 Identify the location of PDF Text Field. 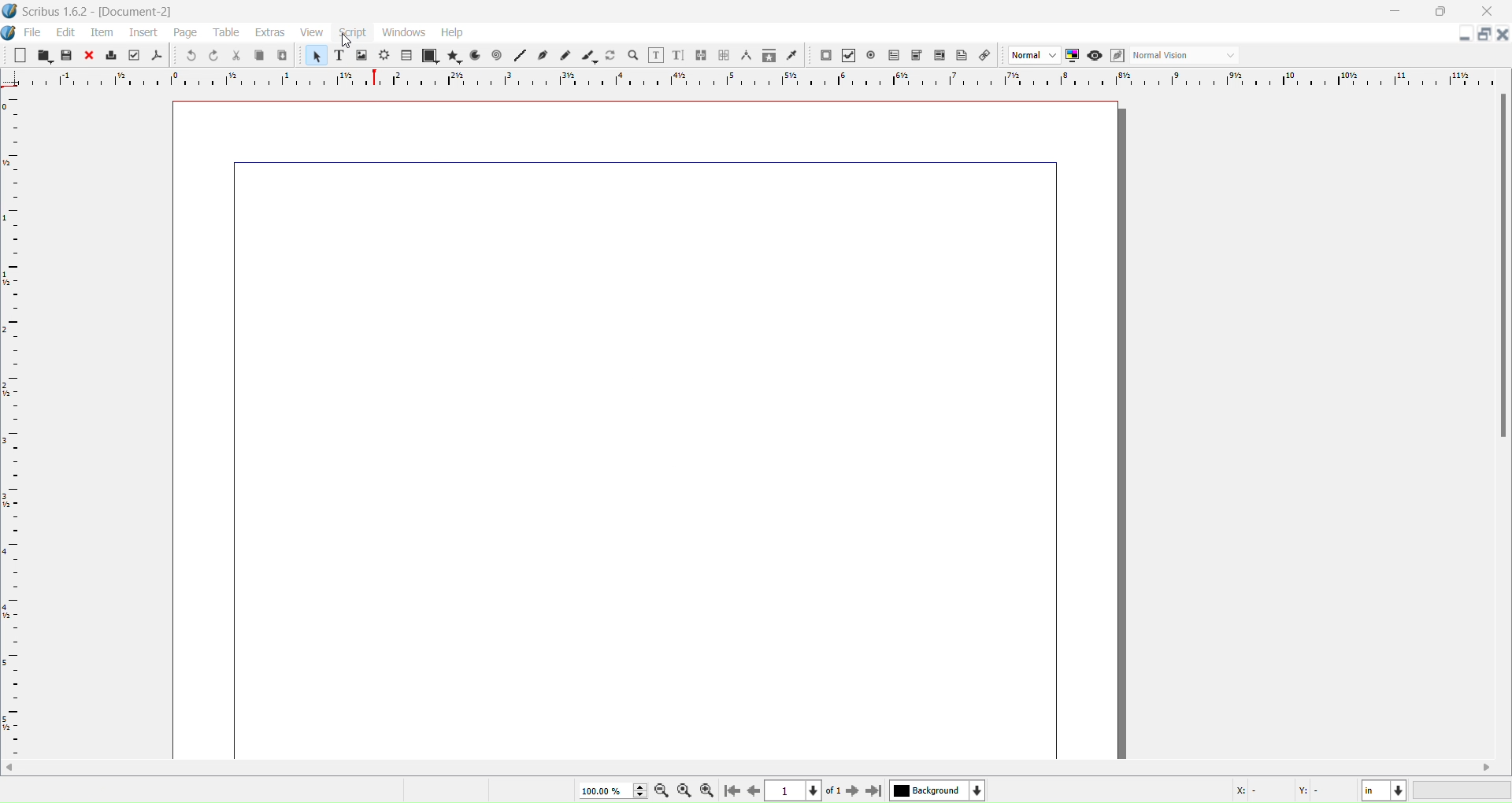
(893, 56).